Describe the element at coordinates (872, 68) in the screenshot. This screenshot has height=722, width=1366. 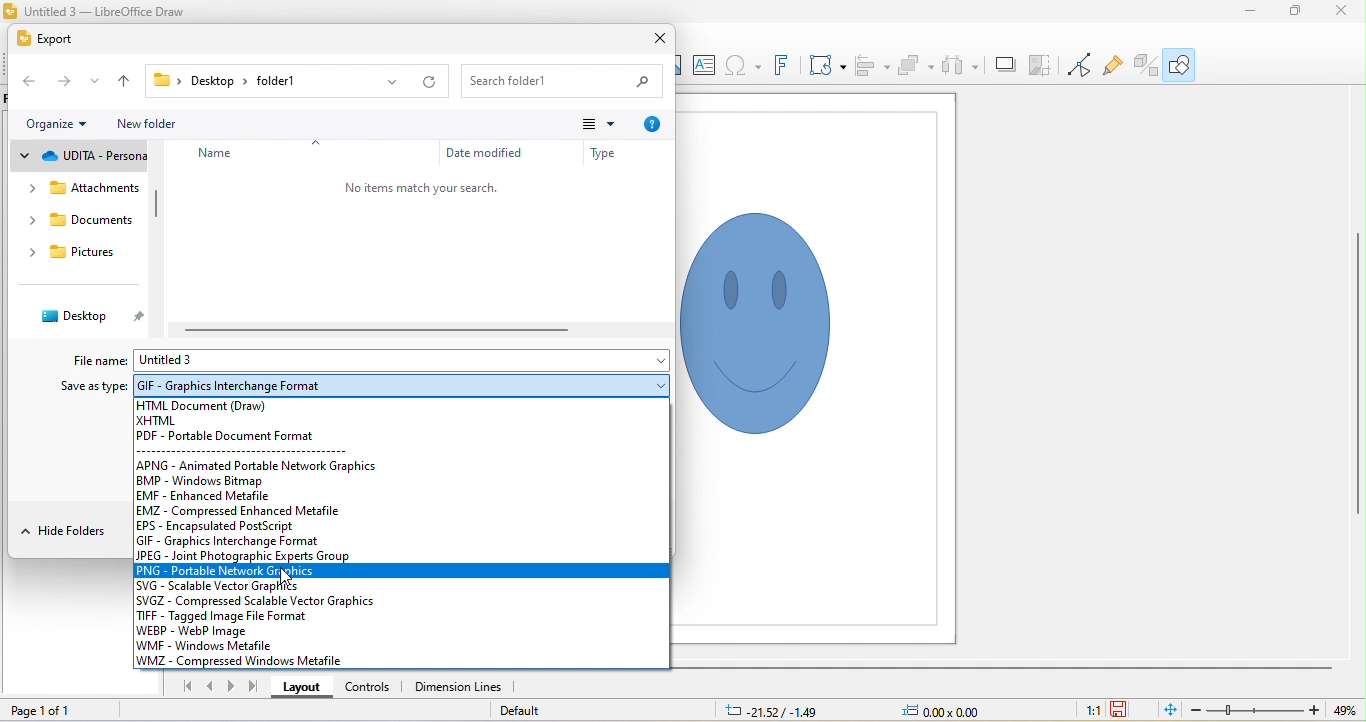
I see `align objects` at that location.